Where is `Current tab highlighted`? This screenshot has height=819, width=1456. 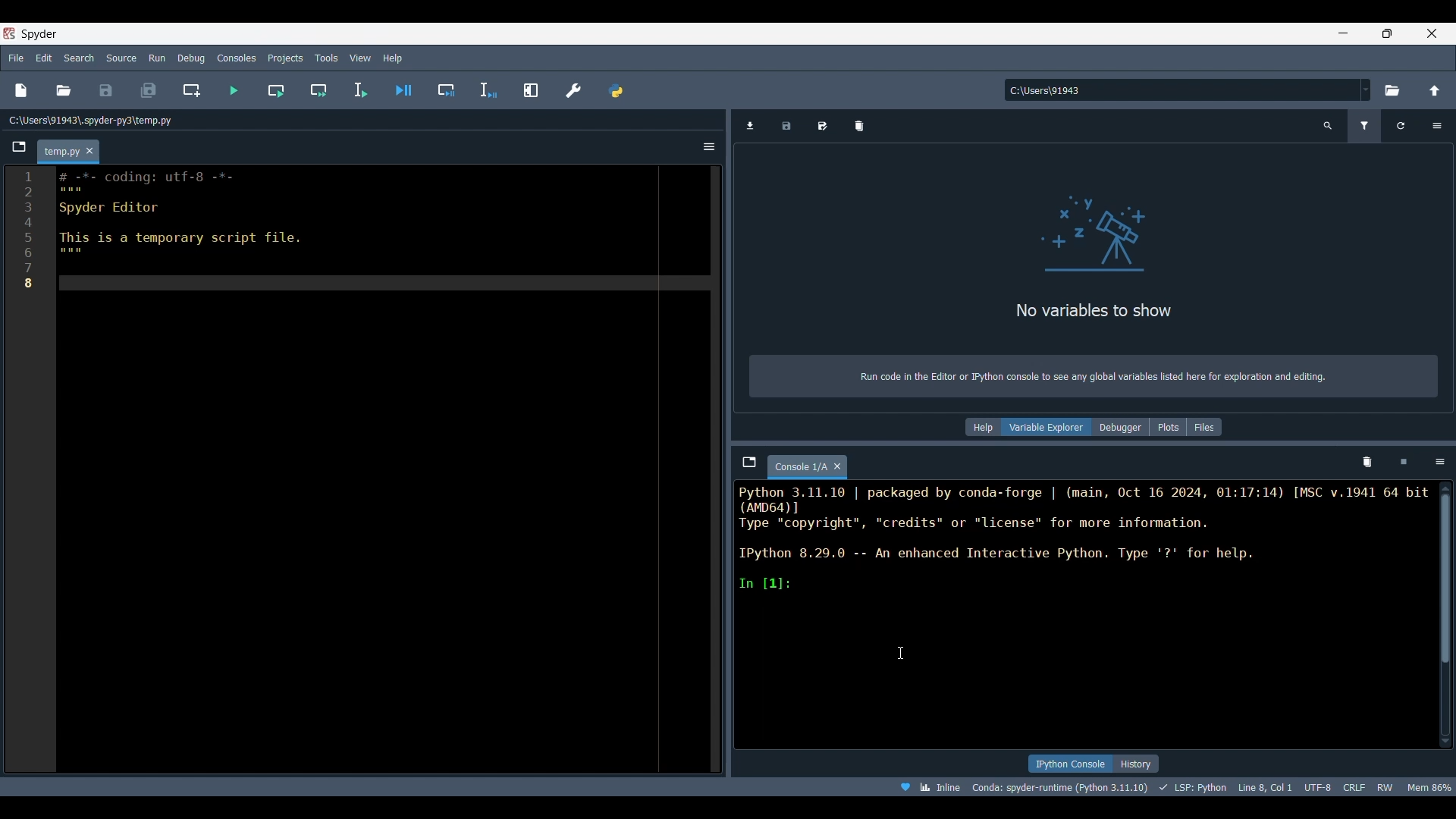
Current tab highlighted is located at coordinates (61, 152).